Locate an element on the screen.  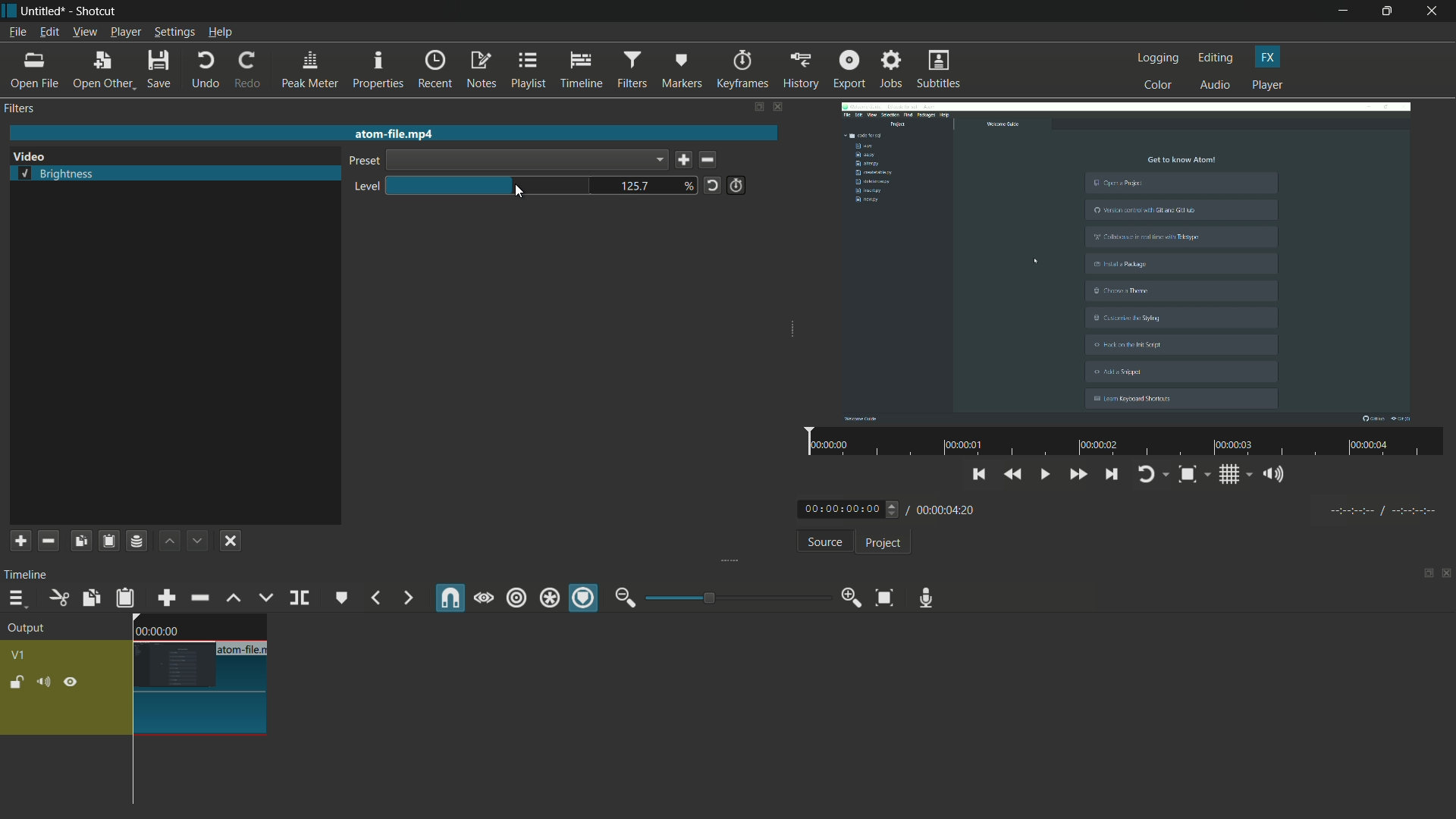
zoom out is located at coordinates (625, 598).